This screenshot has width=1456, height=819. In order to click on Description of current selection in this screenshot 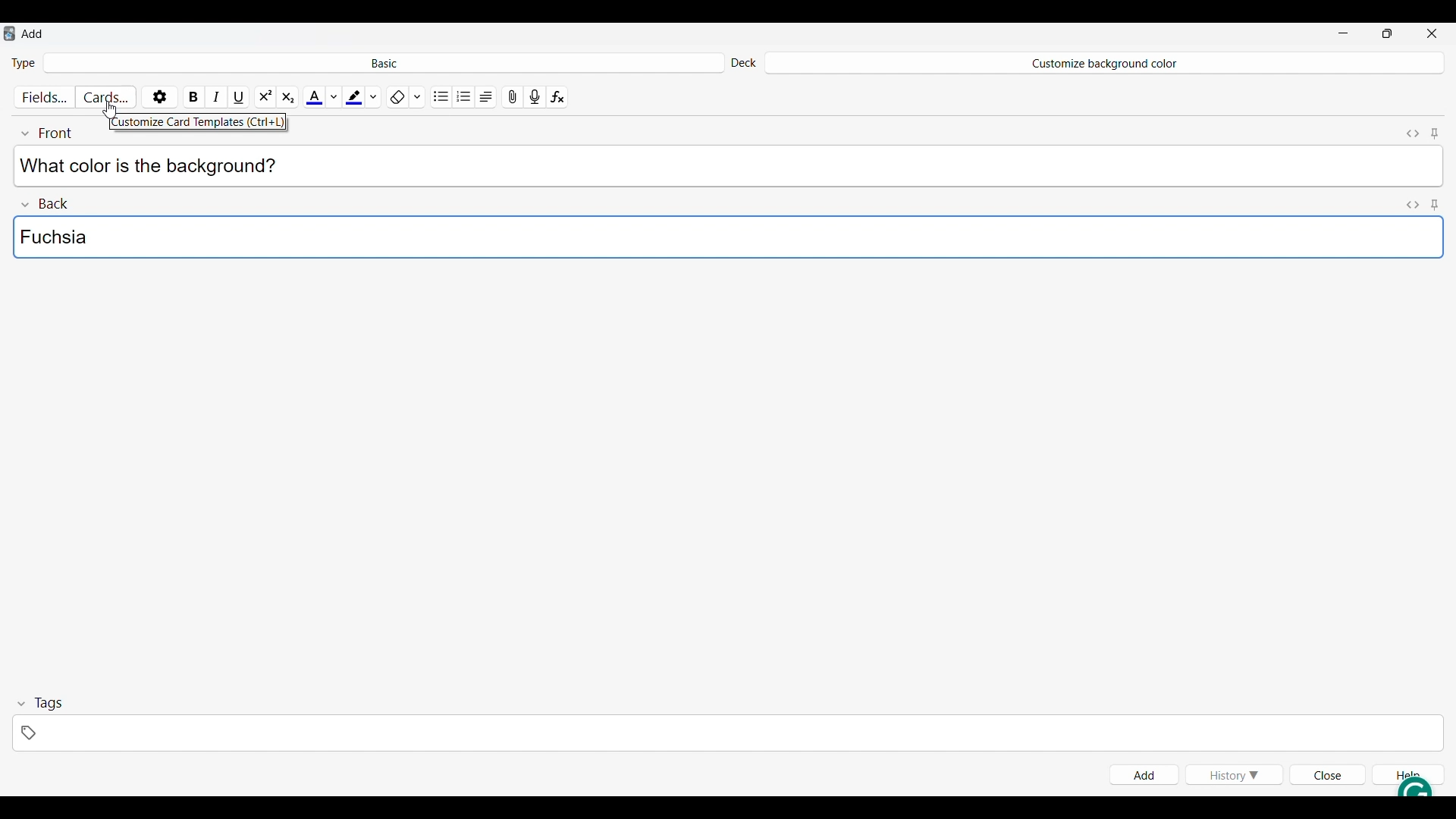, I will do `click(198, 124)`.